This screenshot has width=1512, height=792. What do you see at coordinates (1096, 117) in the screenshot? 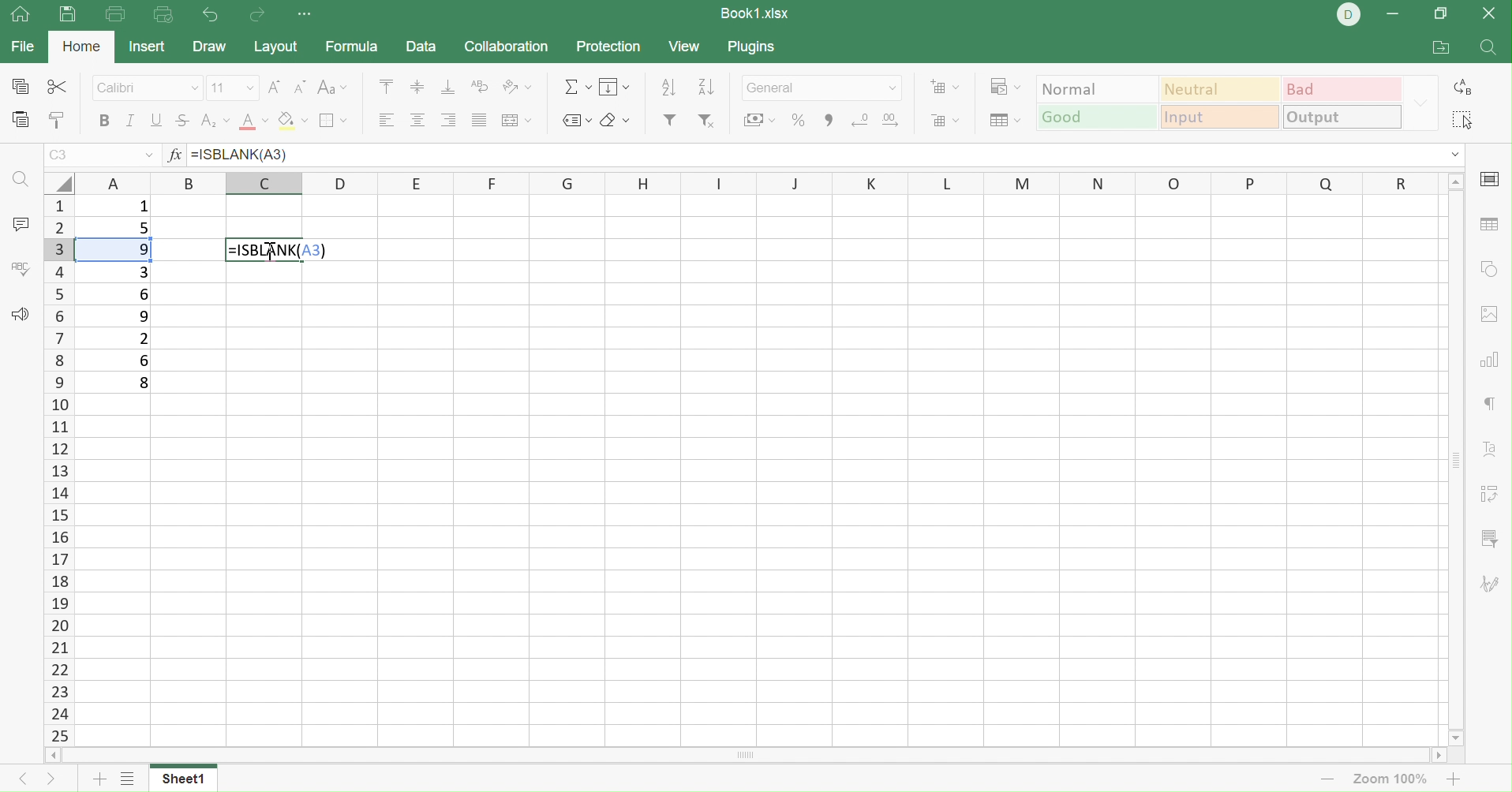
I see `Good` at bounding box center [1096, 117].